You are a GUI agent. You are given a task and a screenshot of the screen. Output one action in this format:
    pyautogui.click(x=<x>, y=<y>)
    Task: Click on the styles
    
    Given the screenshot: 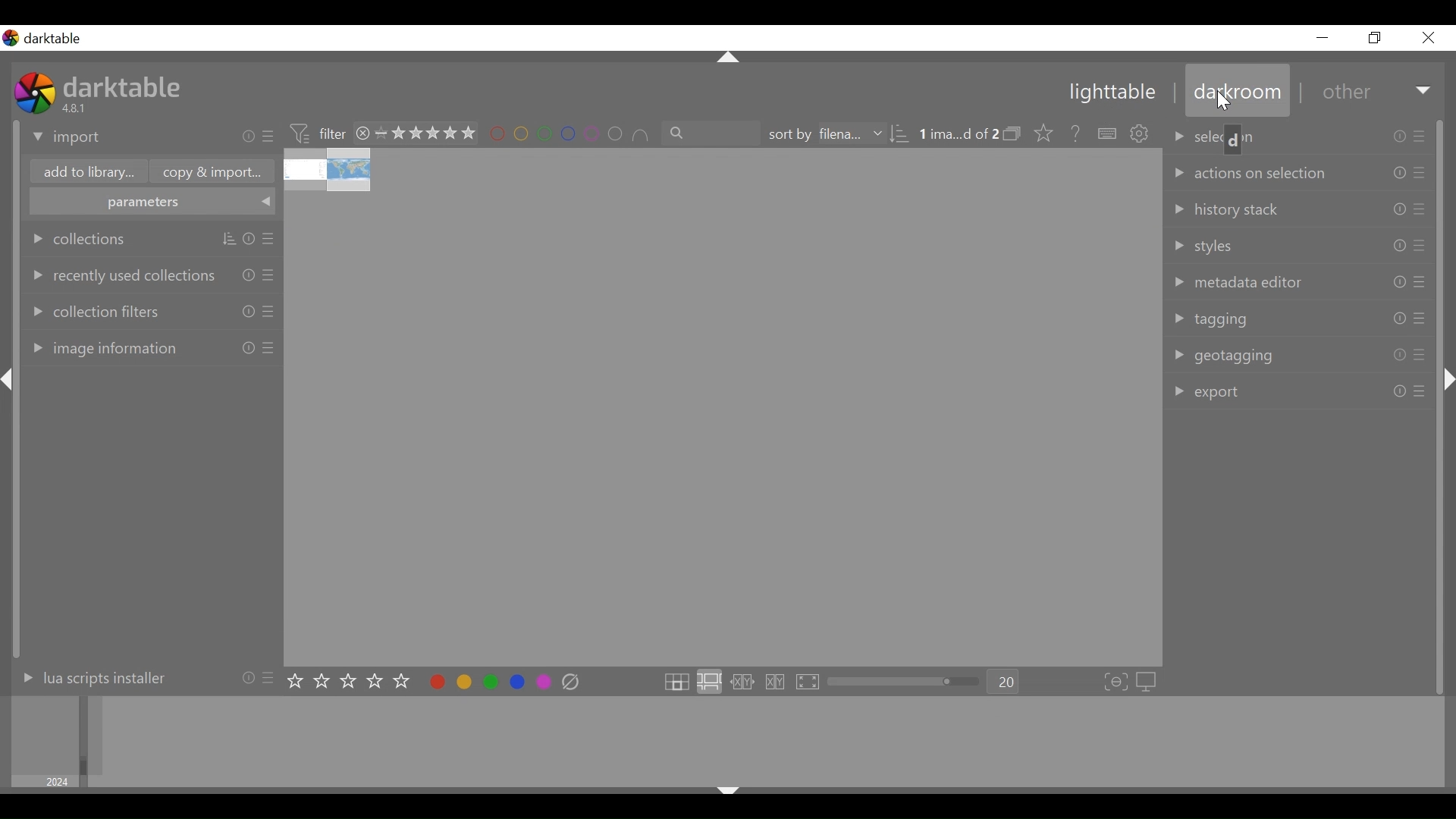 What is the action you would take?
    pyautogui.click(x=1259, y=247)
    